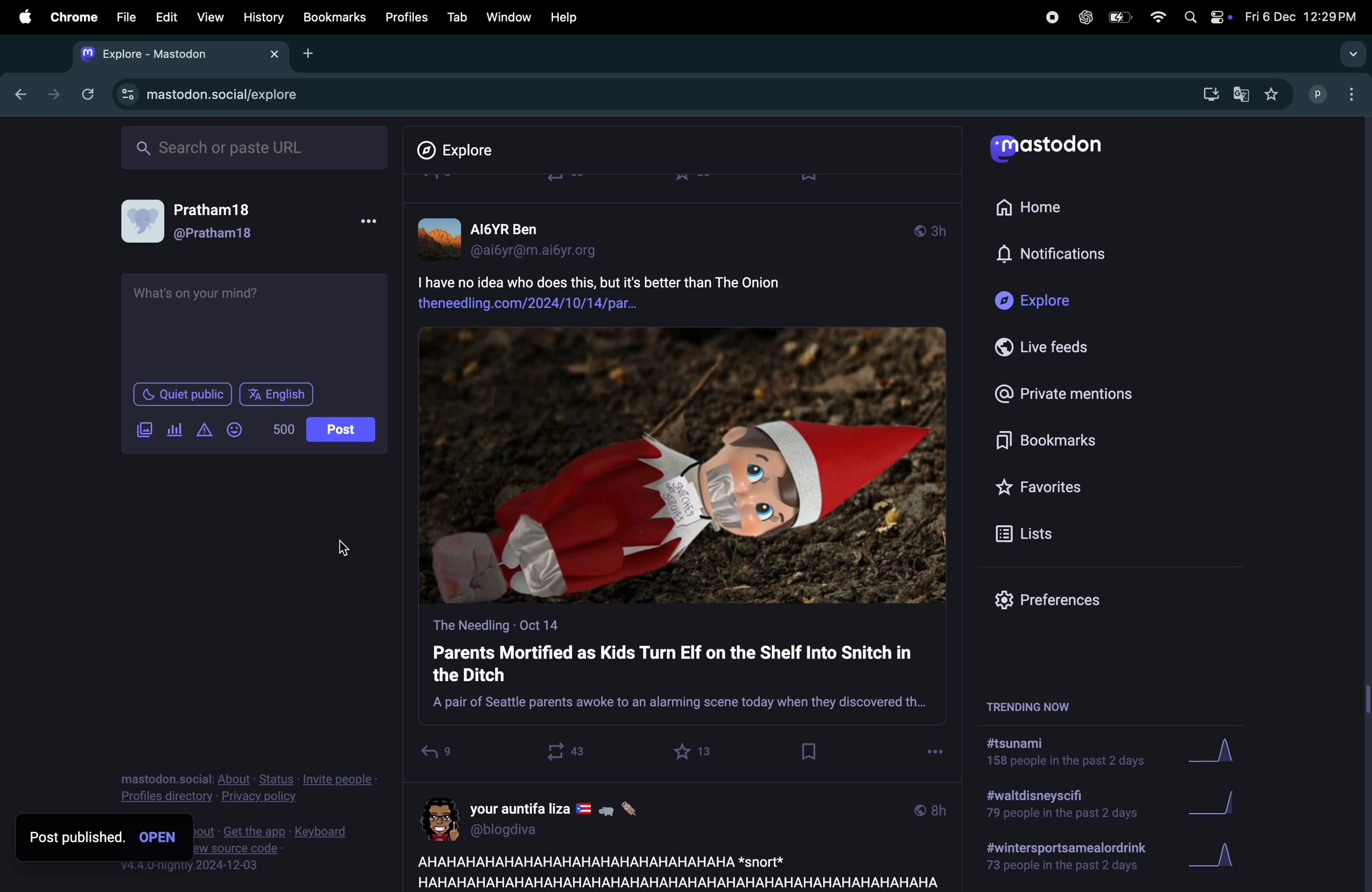 The height and width of the screenshot is (892, 1372). I want to click on Home, so click(1036, 205).